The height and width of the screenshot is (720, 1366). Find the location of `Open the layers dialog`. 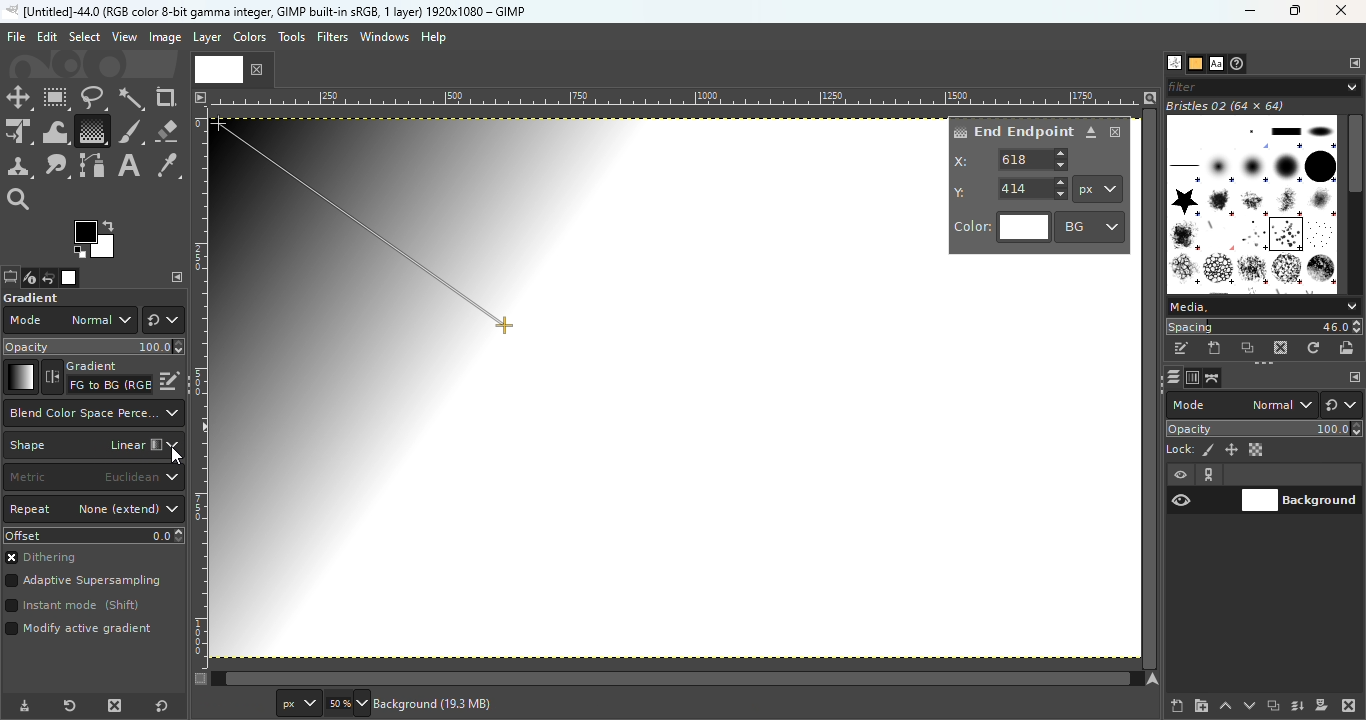

Open the layers dialog is located at coordinates (1171, 377).